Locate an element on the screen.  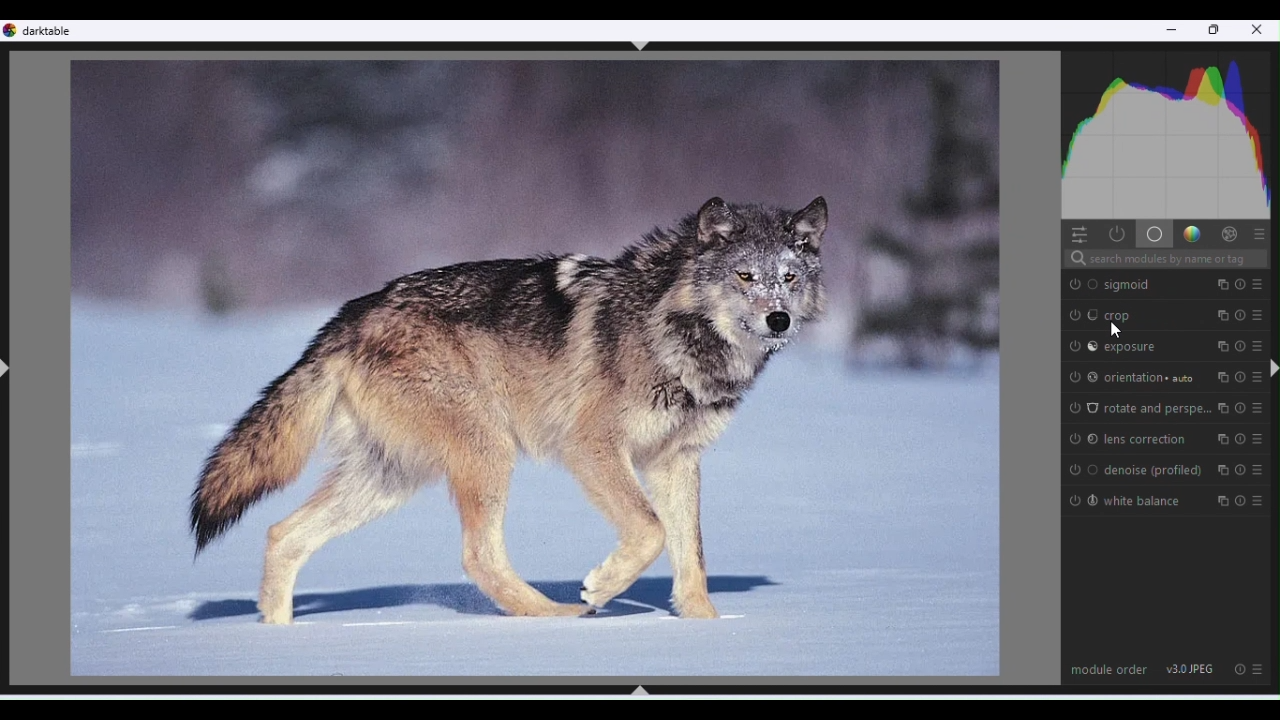
V 3.0 JPEG is located at coordinates (1191, 668).